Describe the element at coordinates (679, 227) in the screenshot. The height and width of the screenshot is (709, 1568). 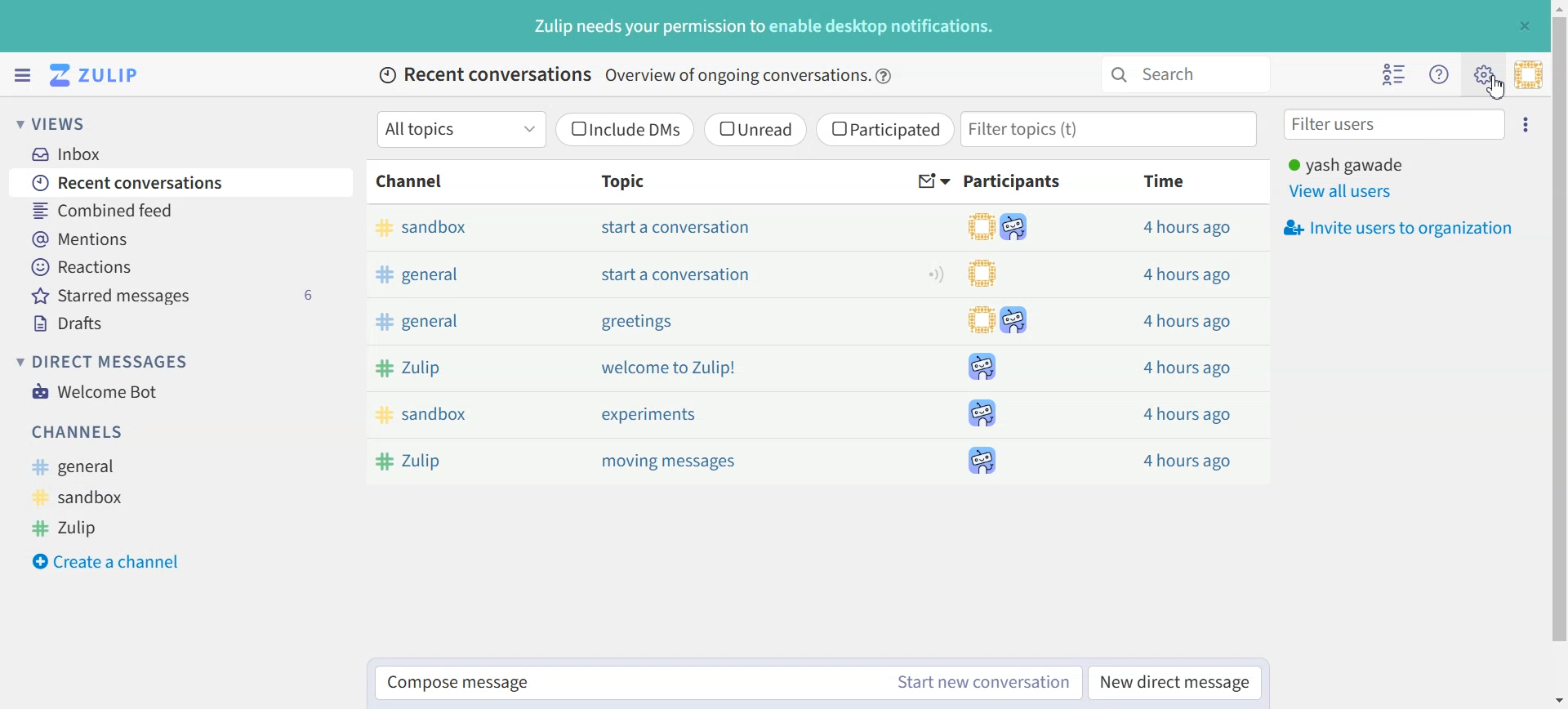
I see `Start a conversation` at that location.